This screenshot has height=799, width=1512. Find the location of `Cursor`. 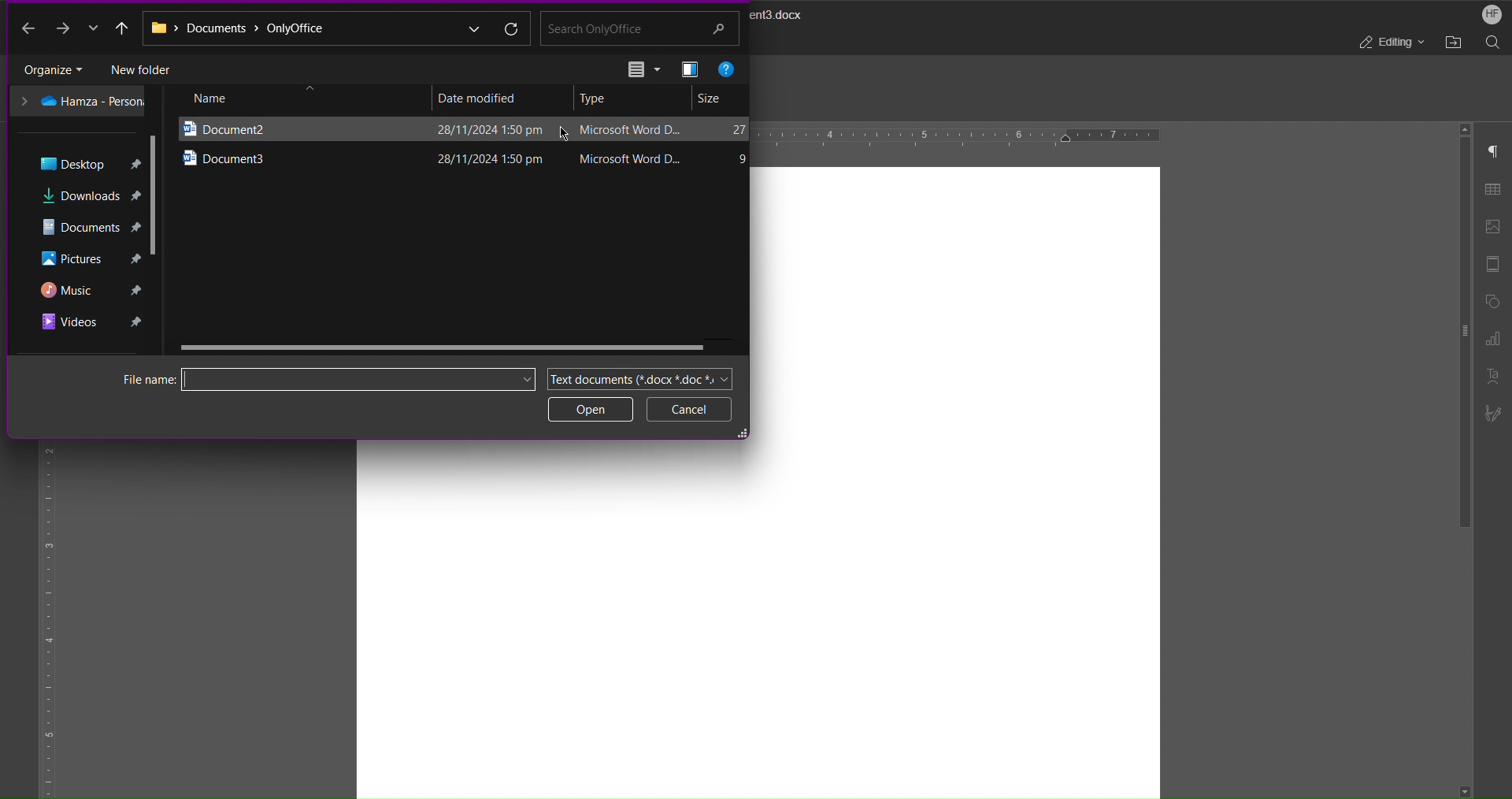

Cursor is located at coordinates (560, 136).